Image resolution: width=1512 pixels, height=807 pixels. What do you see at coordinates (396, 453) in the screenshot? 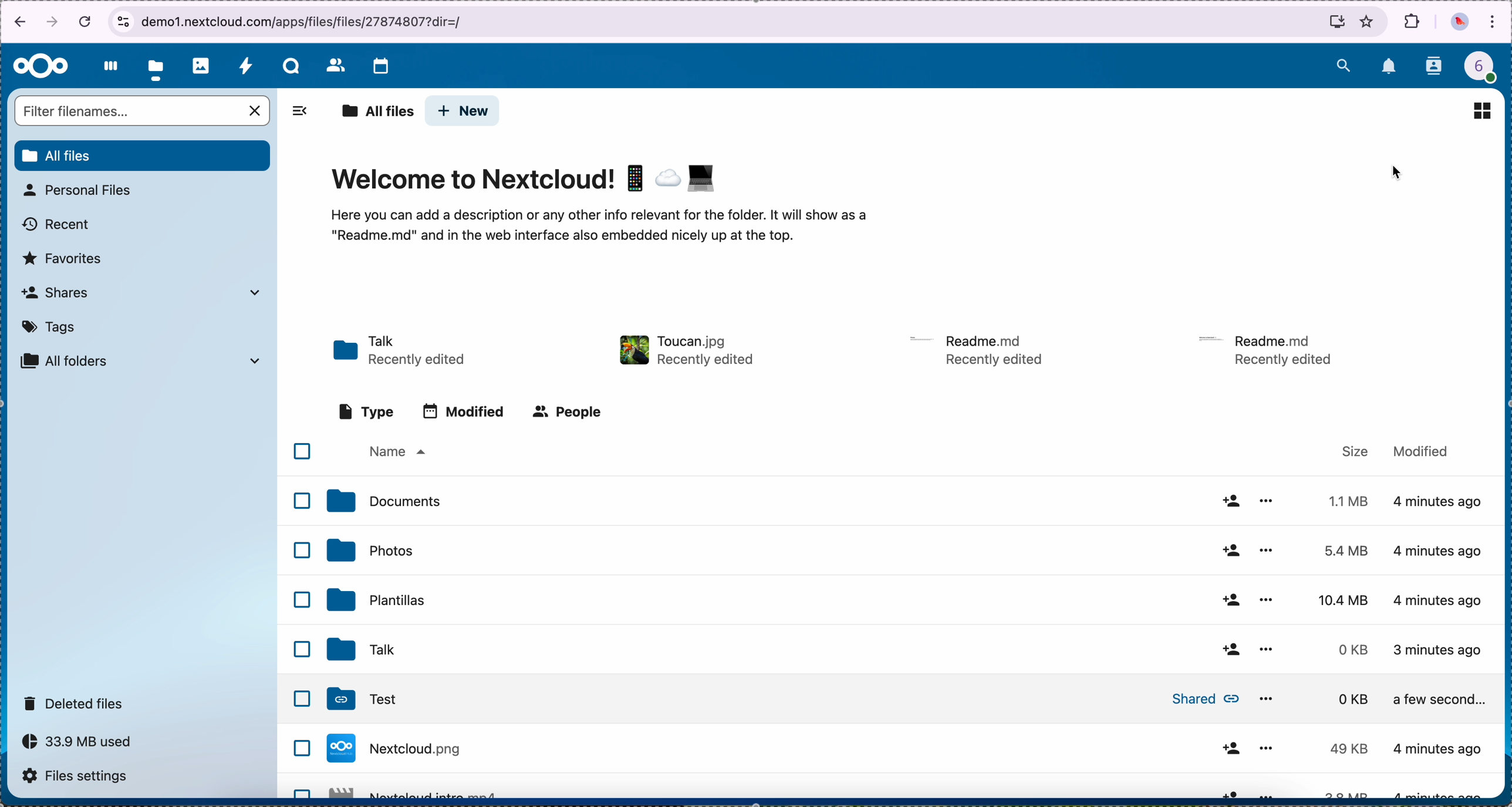
I see `name` at bounding box center [396, 453].